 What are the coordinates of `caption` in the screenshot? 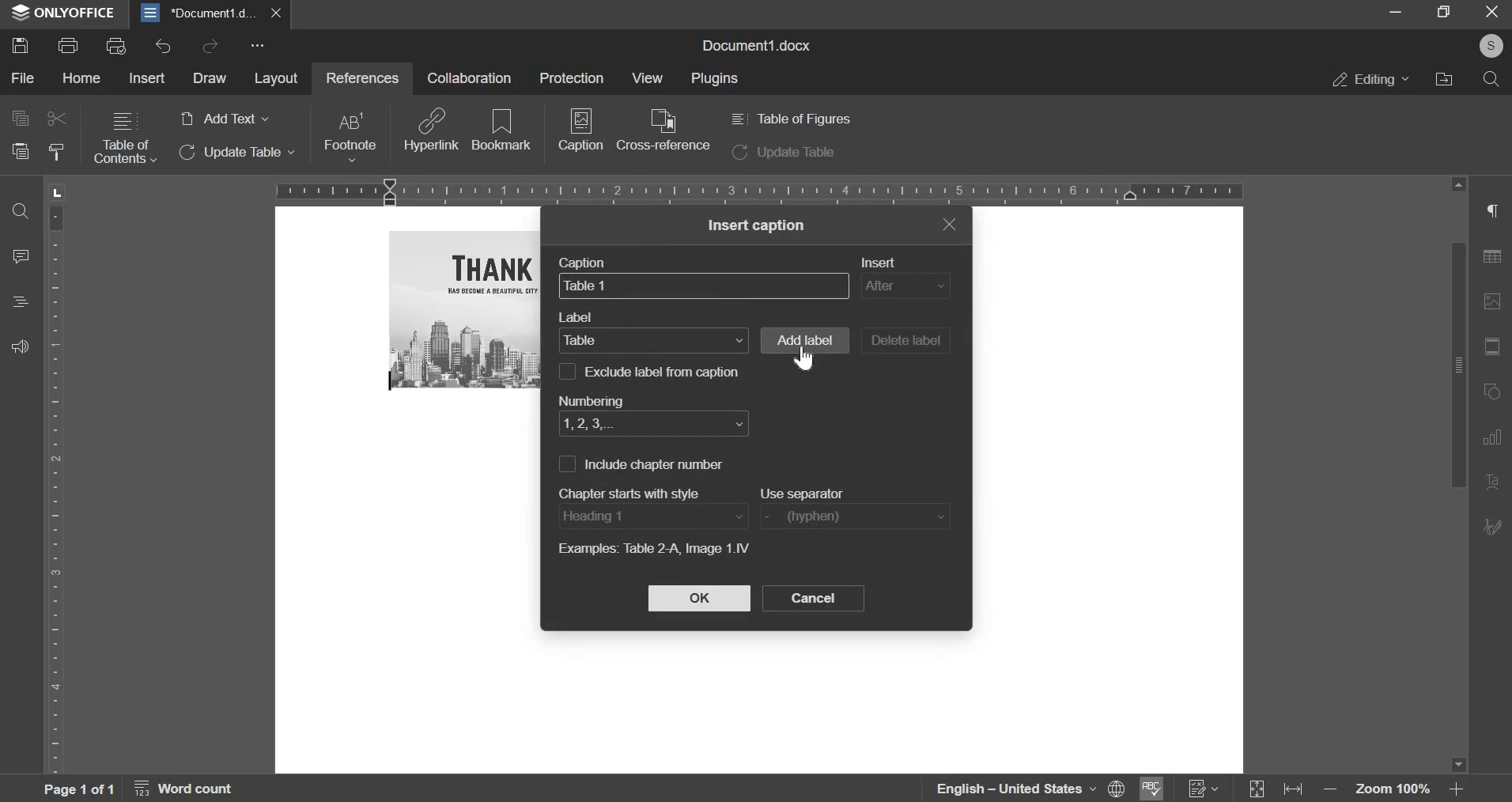 It's located at (588, 262).